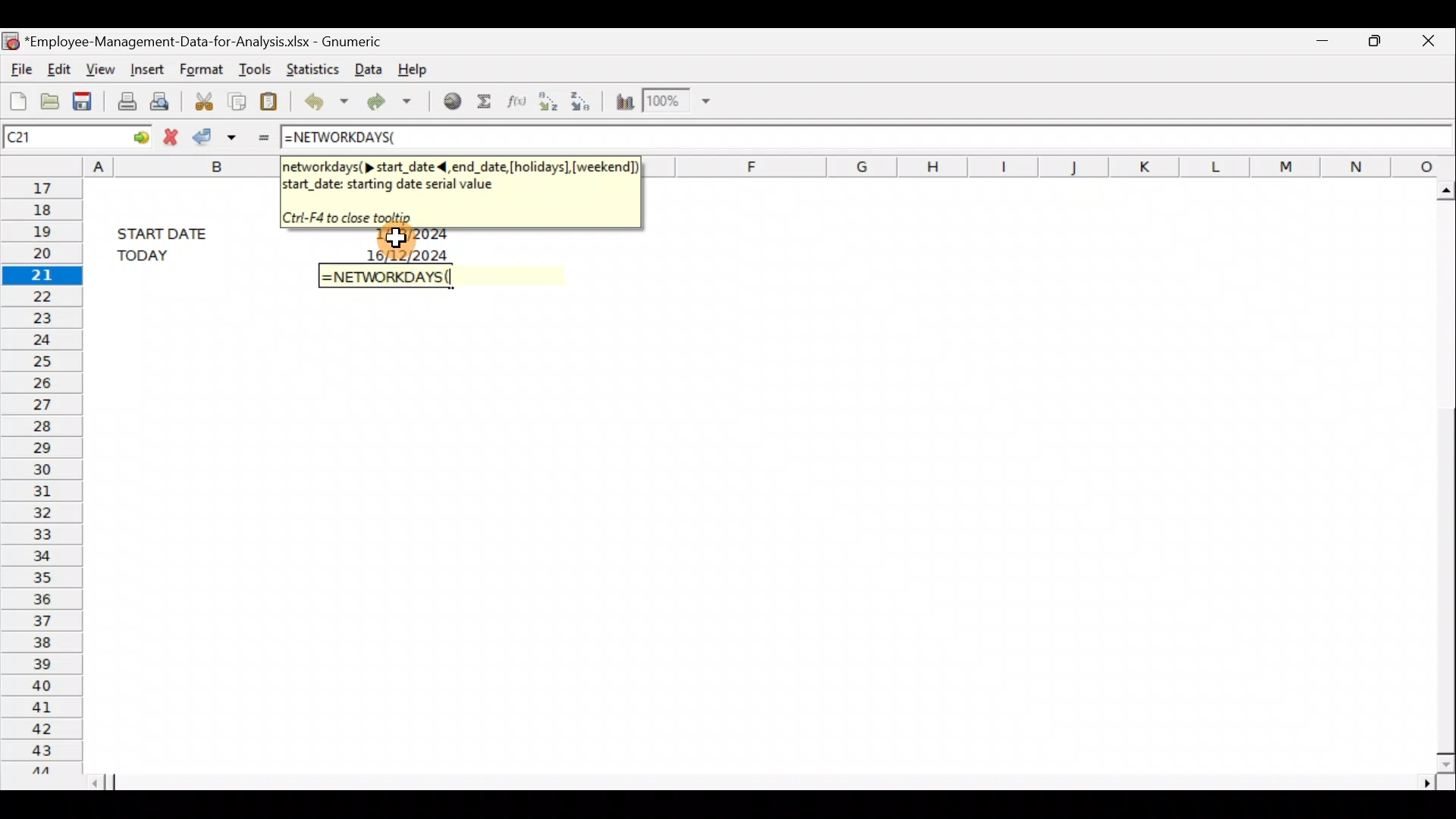 This screenshot has width=1456, height=819. I want to click on 1/12/2024, so click(413, 237).